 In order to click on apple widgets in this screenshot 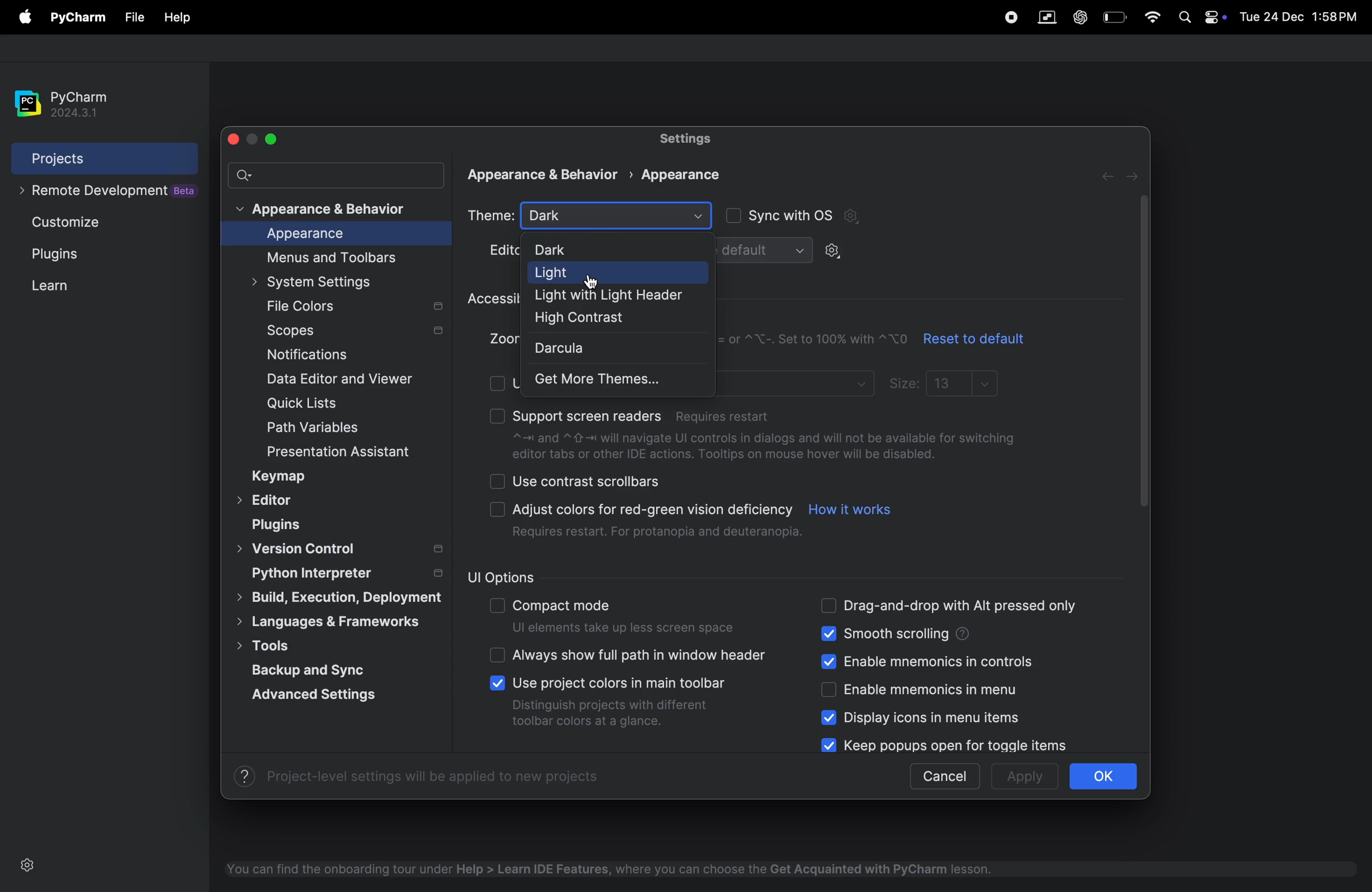, I will do `click(1200, 20)`.